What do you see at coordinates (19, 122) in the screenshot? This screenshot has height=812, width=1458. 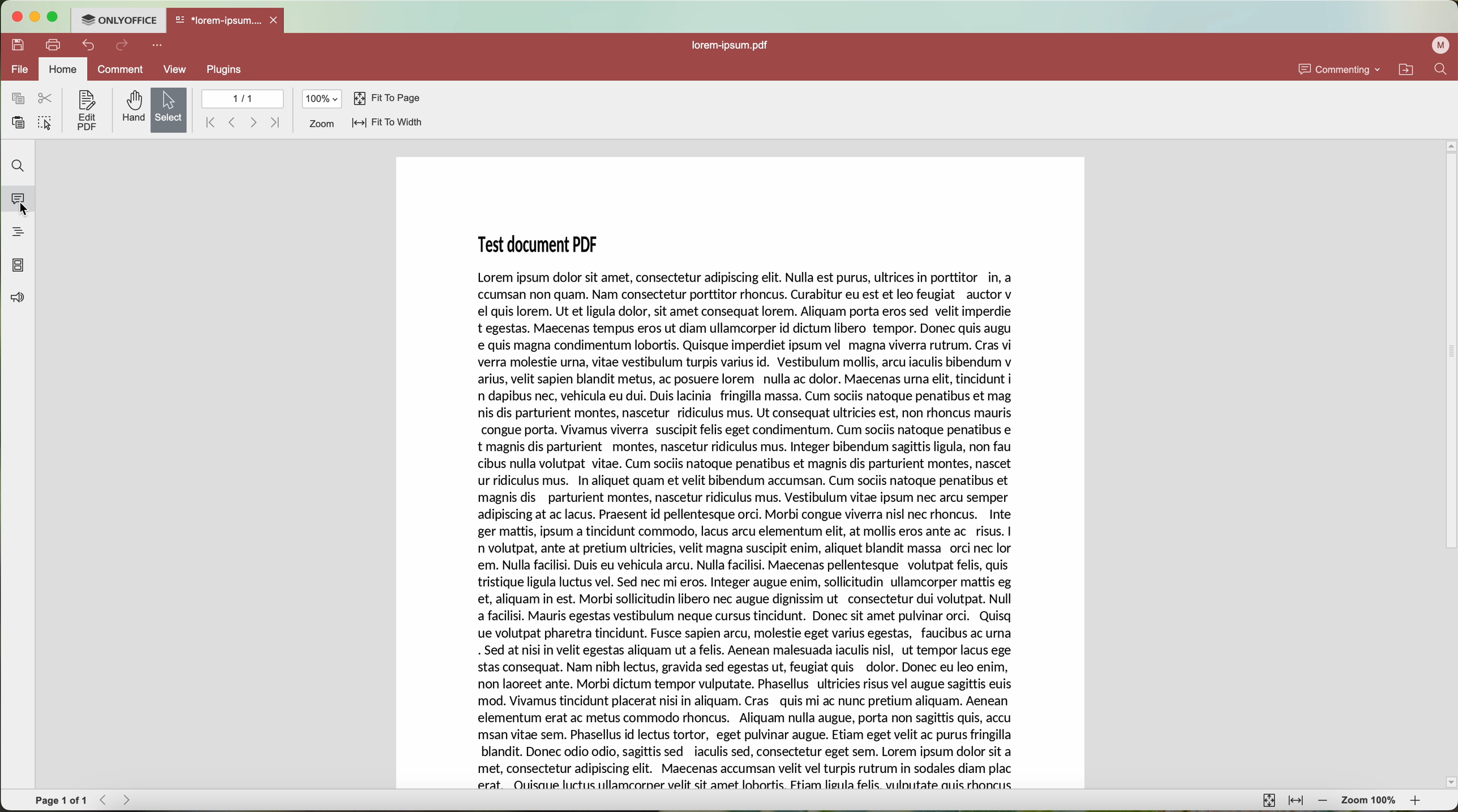 I see `paste` at bounding box center [19, 122].